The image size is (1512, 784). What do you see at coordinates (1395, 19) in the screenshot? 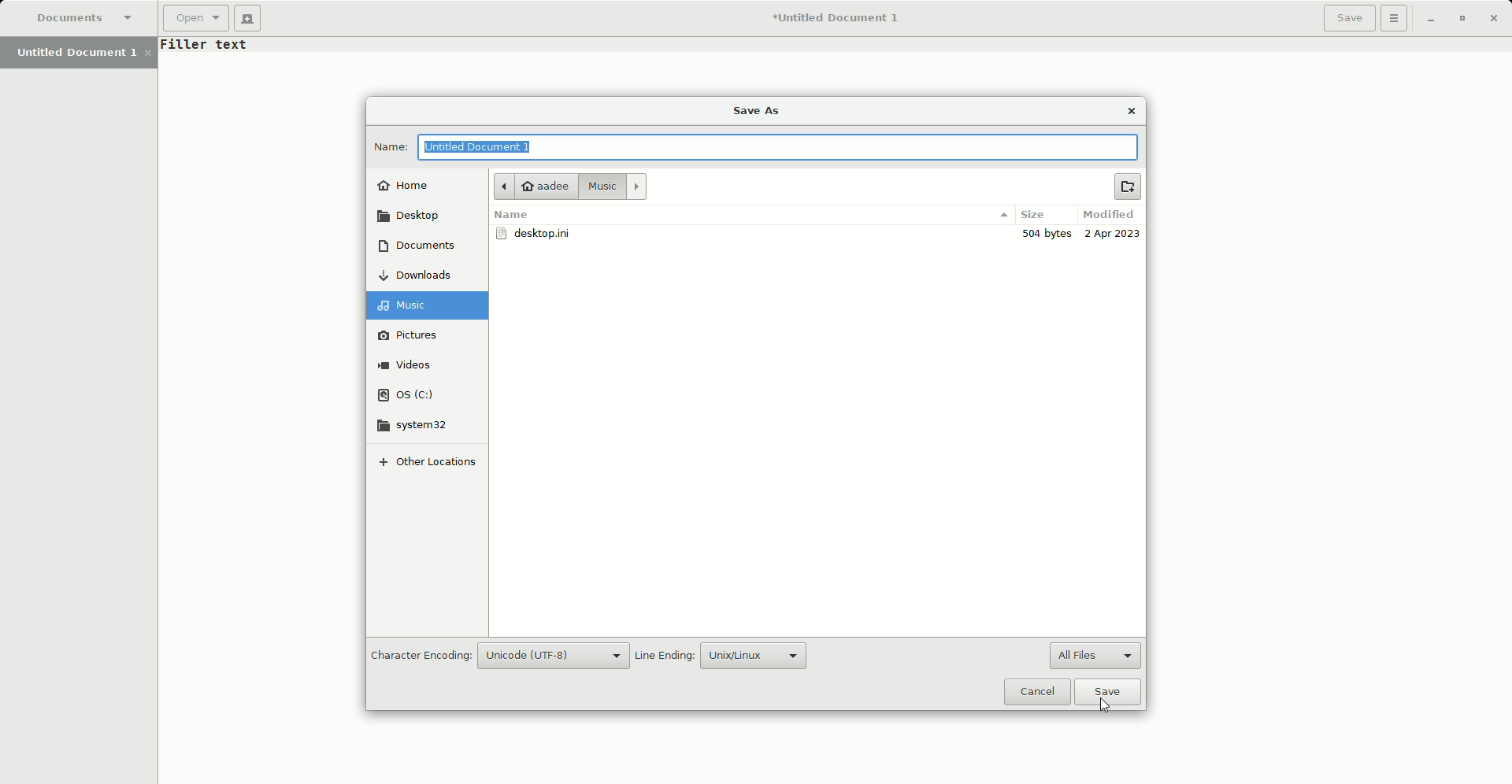
I see `Options` at bounding box center [1395, 19].